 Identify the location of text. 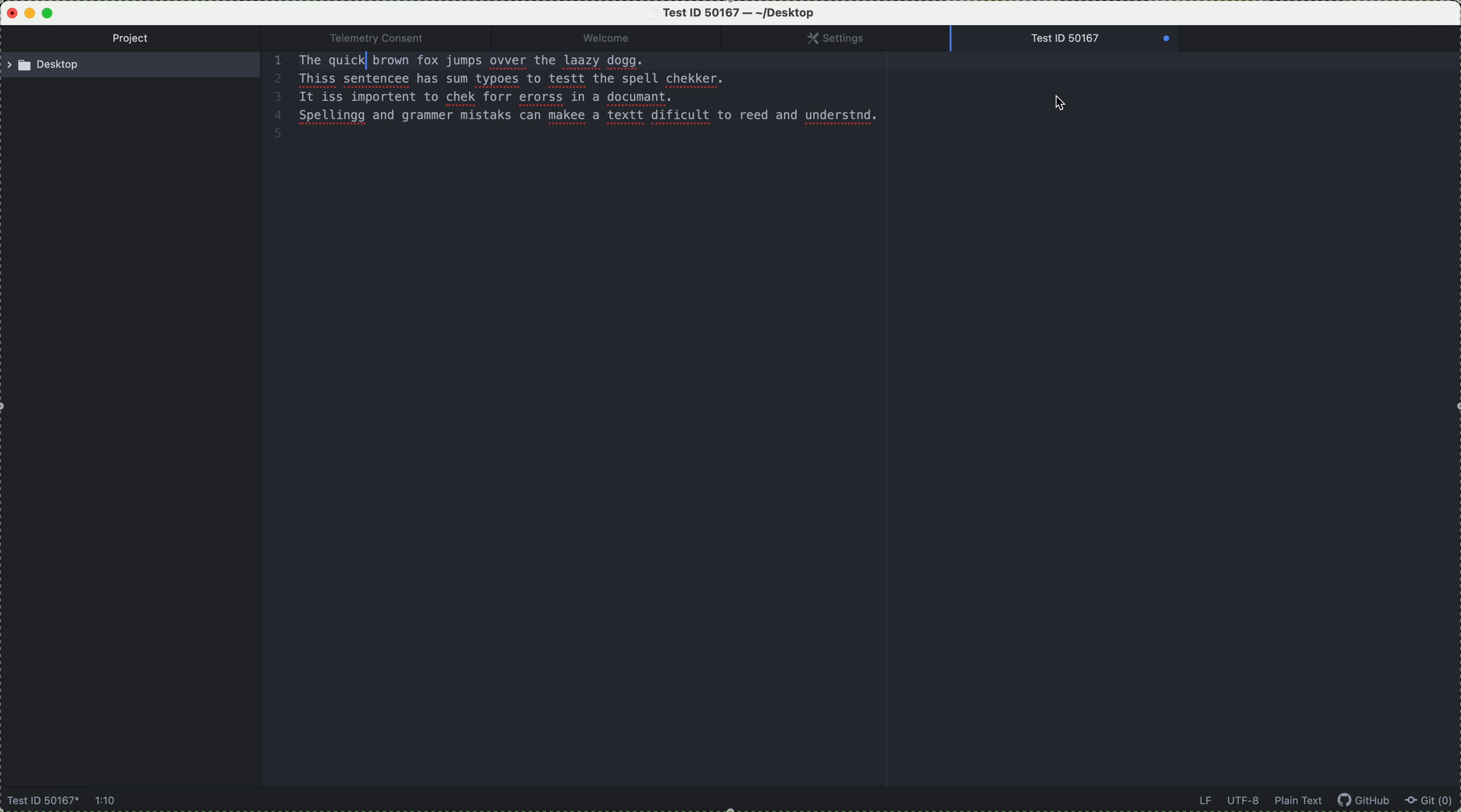
(580, 91).